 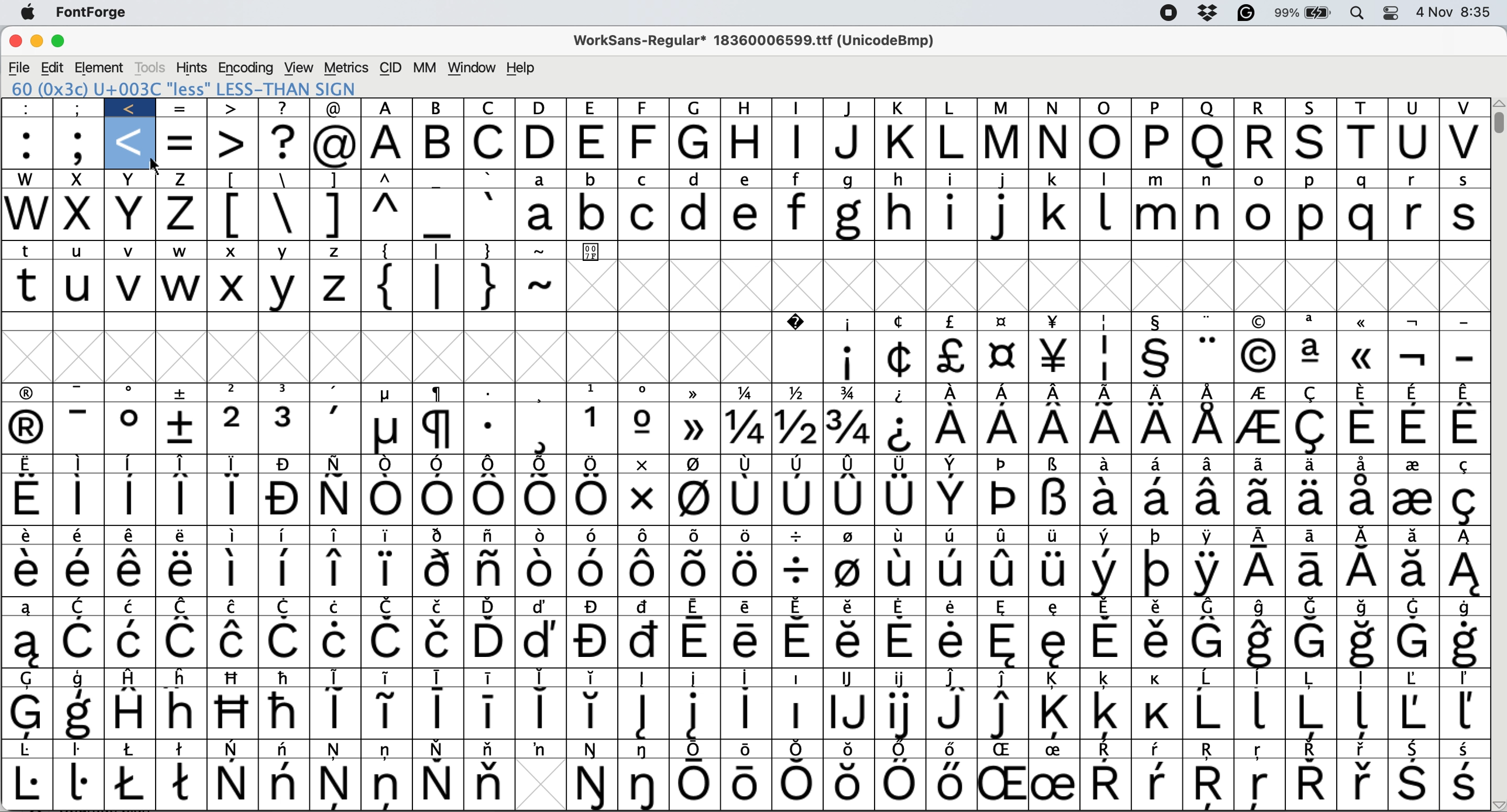 What do you see at coordinates (1104, 781) in the screenshot?
I see `Symbol` at bounding box center [1104, 781].